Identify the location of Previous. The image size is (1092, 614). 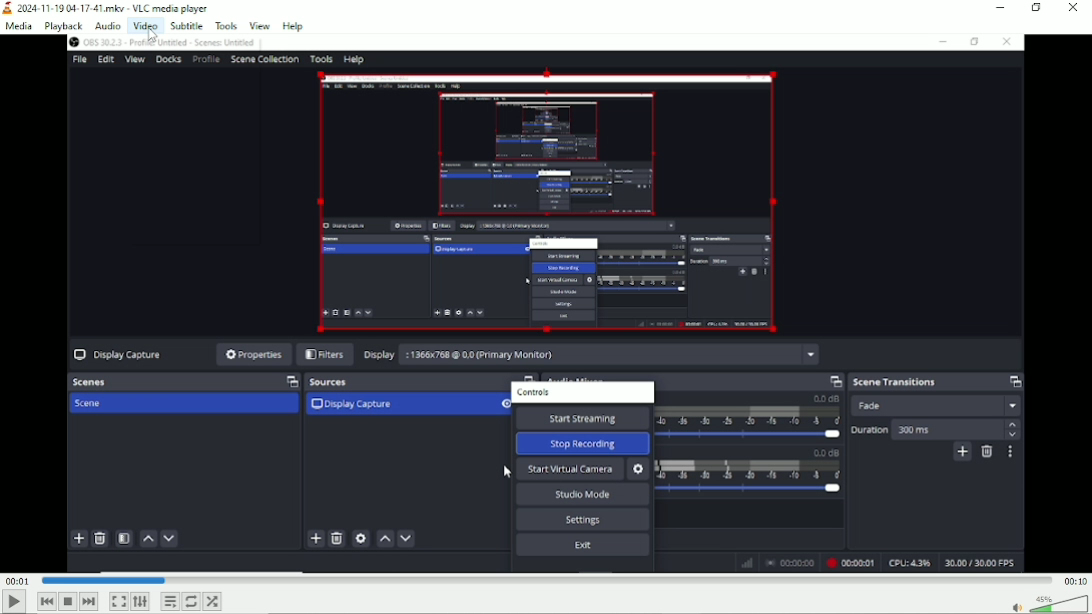
(47, 601).